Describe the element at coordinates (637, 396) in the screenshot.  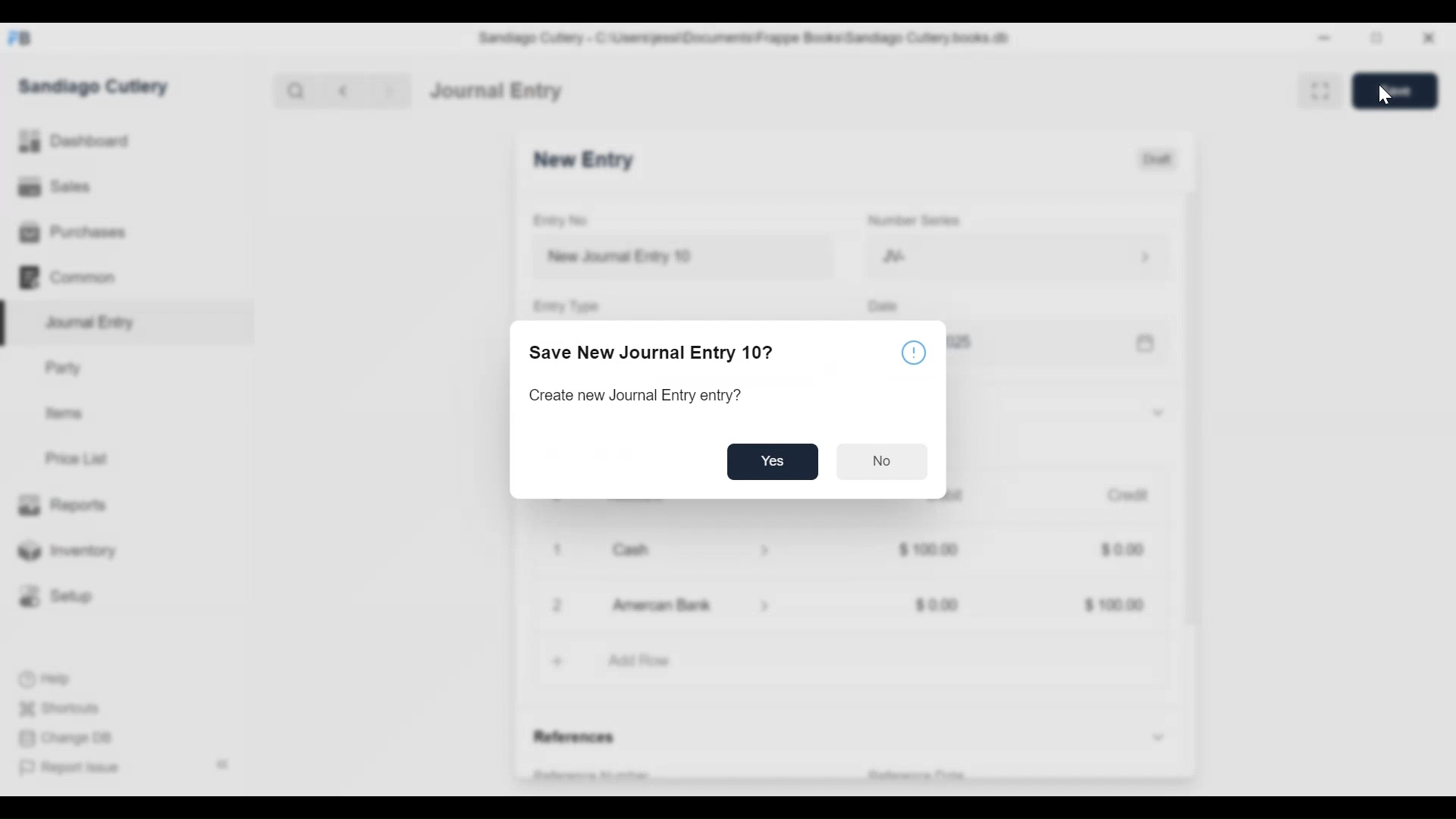
I see `Create new Journal Entry entry?` at that location.